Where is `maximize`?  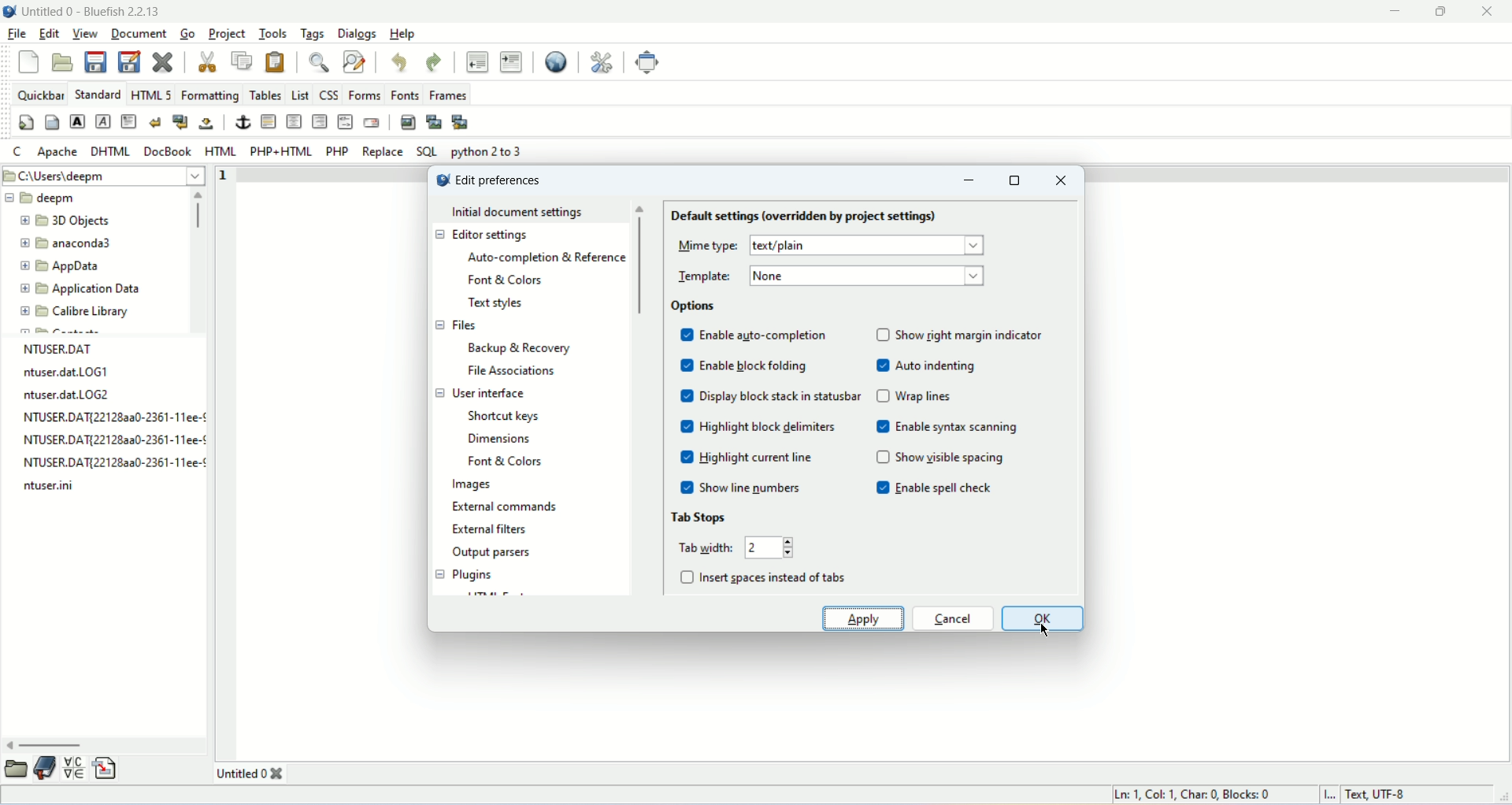 maximize is located at coordinates (1017, 180).